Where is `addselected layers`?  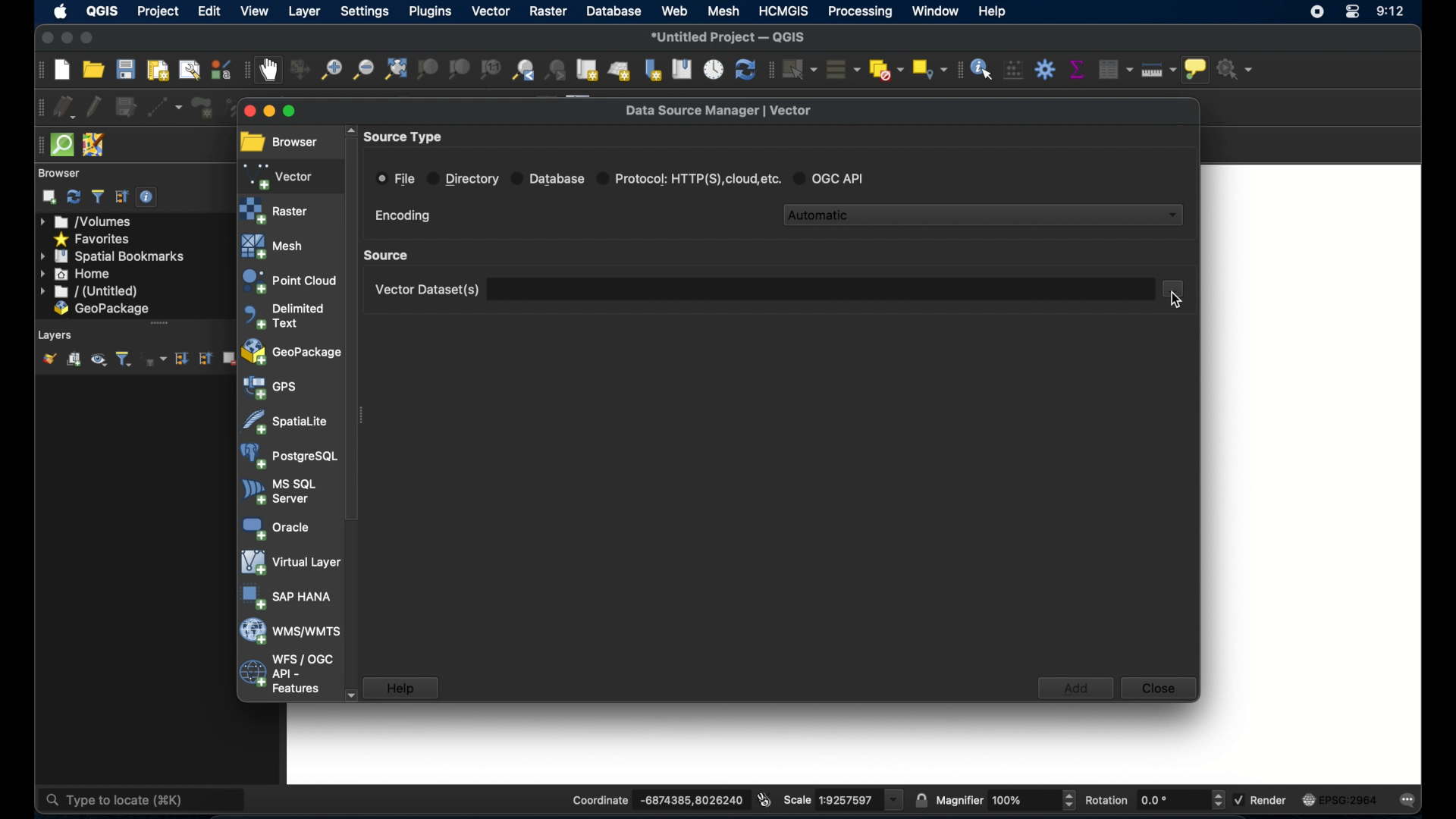
addselected layers is located at coordinates (49, 197).